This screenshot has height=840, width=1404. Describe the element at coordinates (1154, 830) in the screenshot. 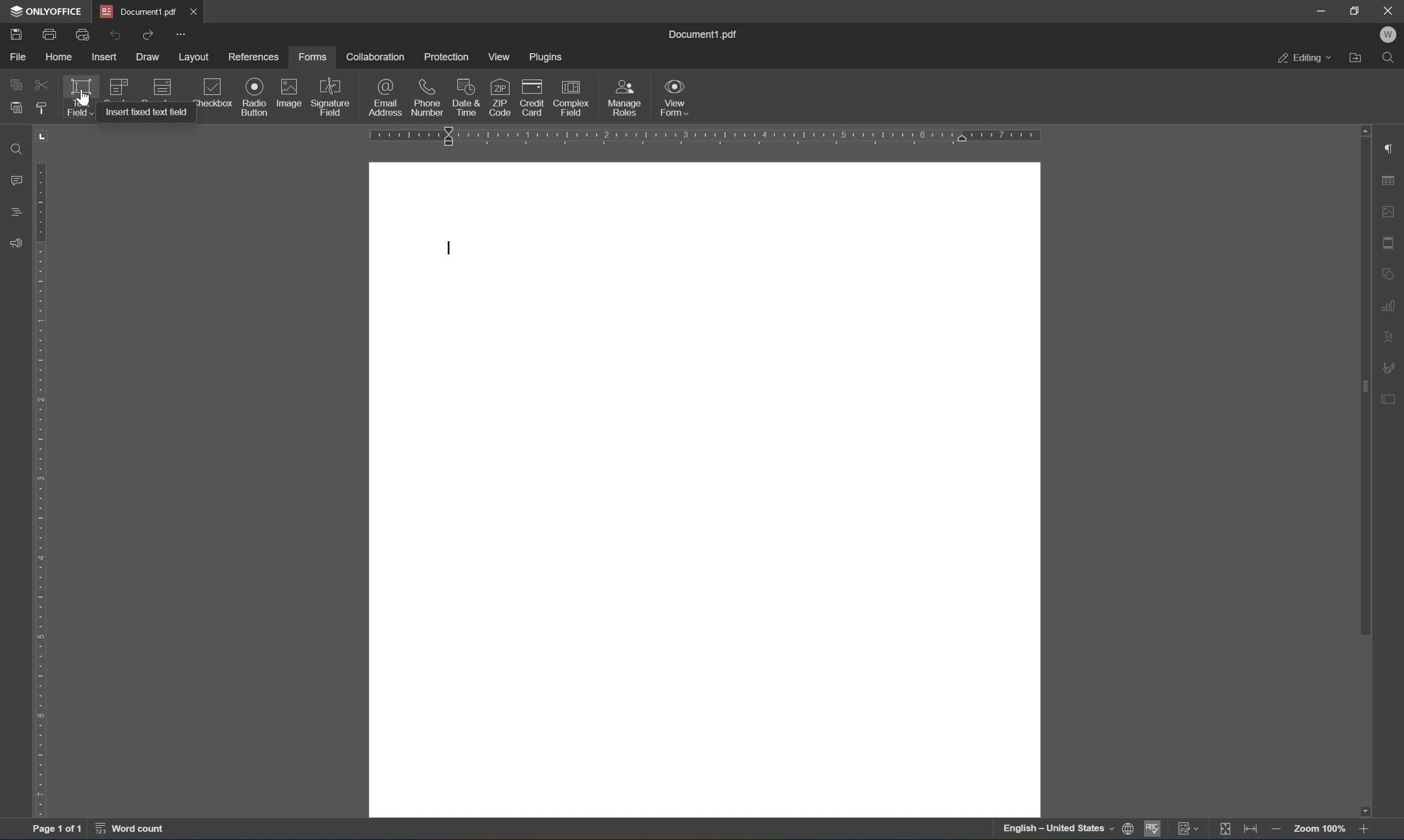

I see `spell checking` at that location.